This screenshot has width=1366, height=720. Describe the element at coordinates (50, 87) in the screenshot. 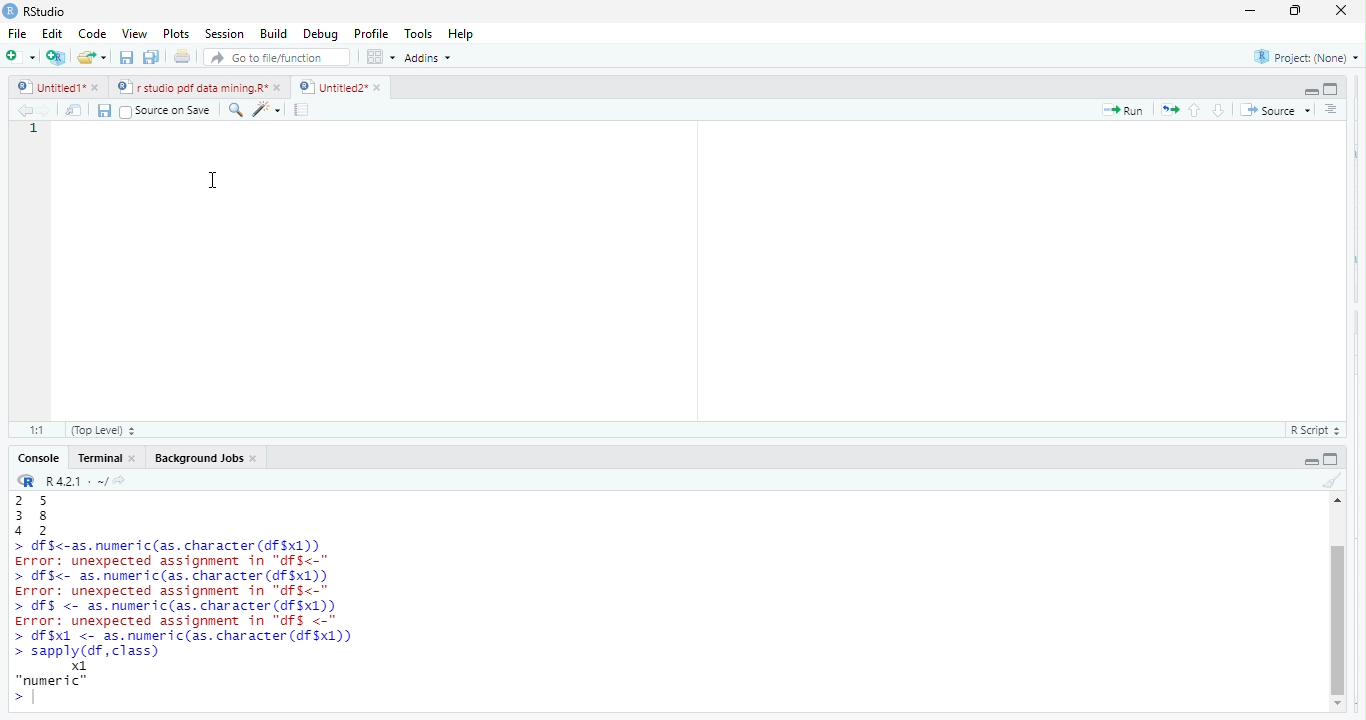

I see ` Untitied1` at that location.